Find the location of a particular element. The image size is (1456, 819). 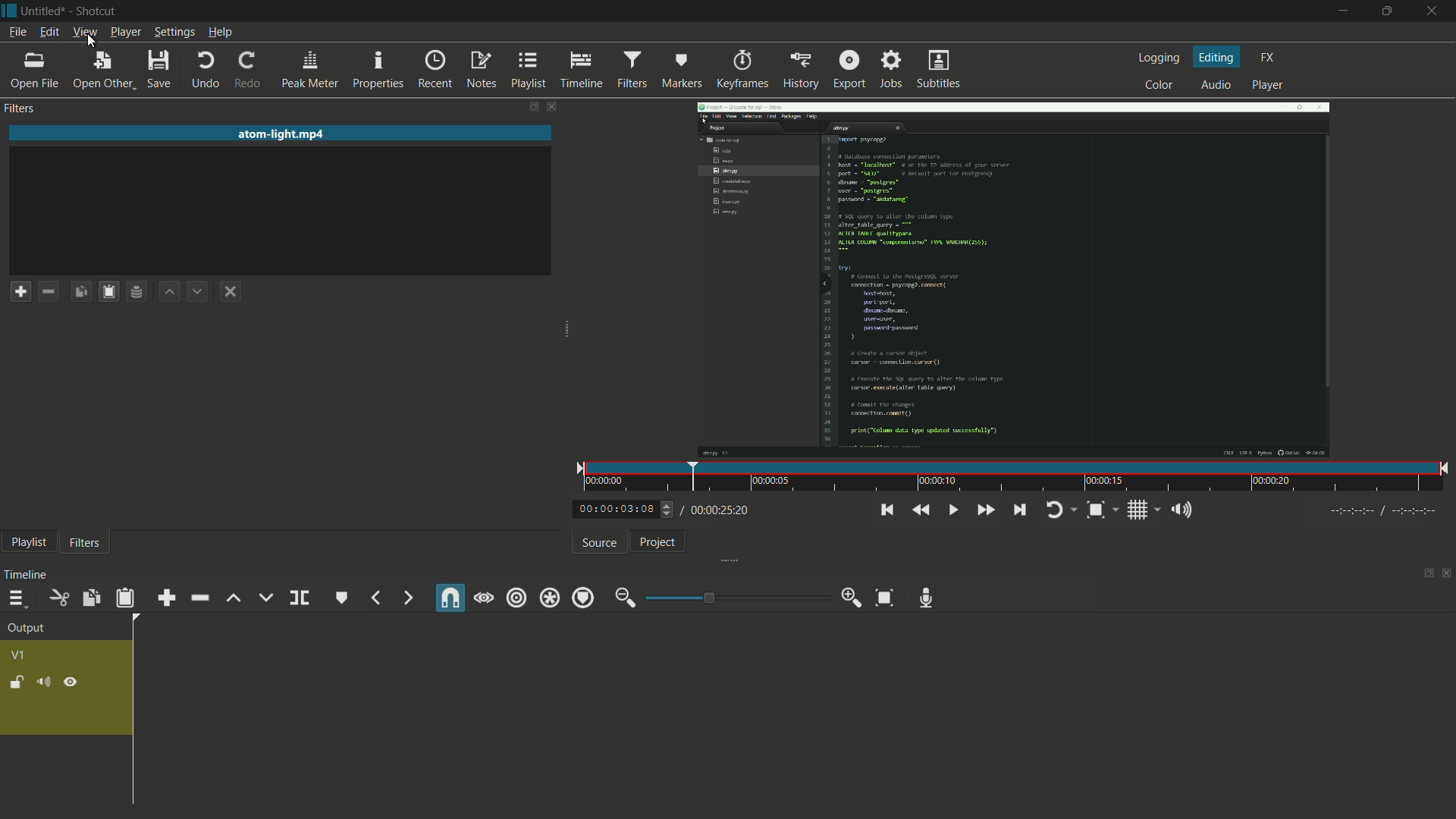

snap is located at coordinates (449, 598).